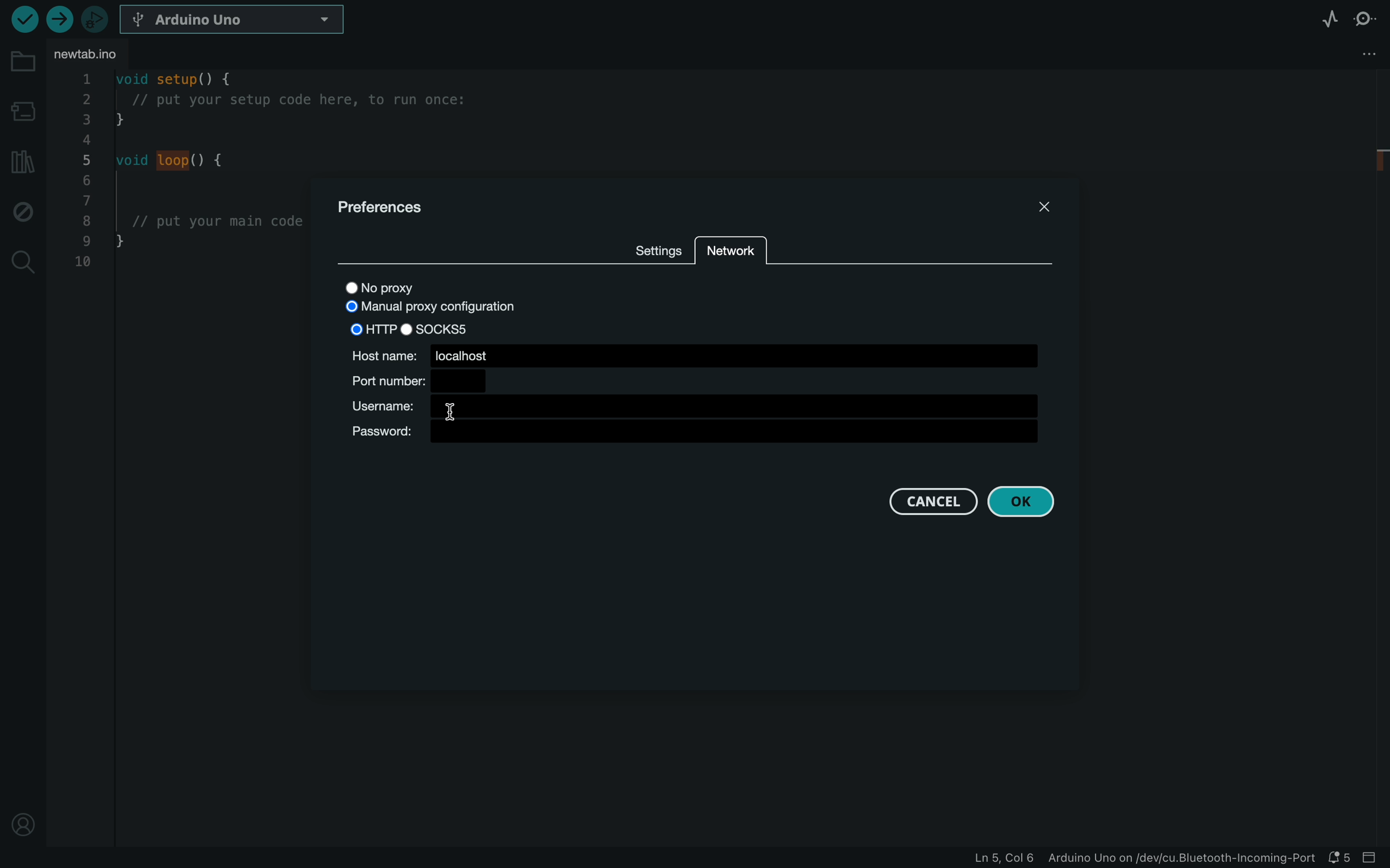 This screenshot has height=868, width=1390. What do you see at coordinates (446, 328) in the screenshot?
I see `SOCKS5` at bounding box center [446, 328].